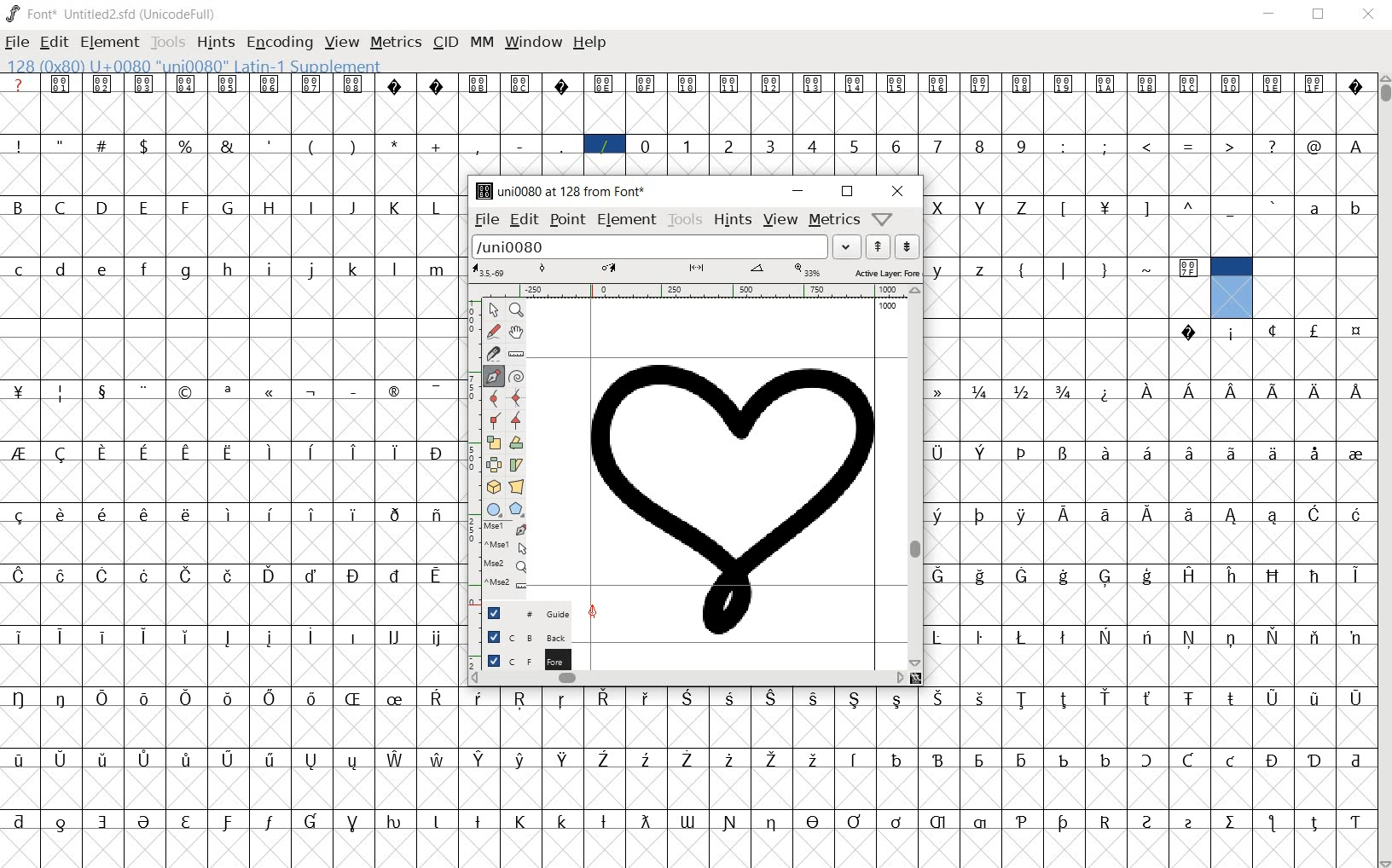 Image resolution: width=1392 pixels, height=868 pixels. I want to click on glyph, so click(1314, 701).